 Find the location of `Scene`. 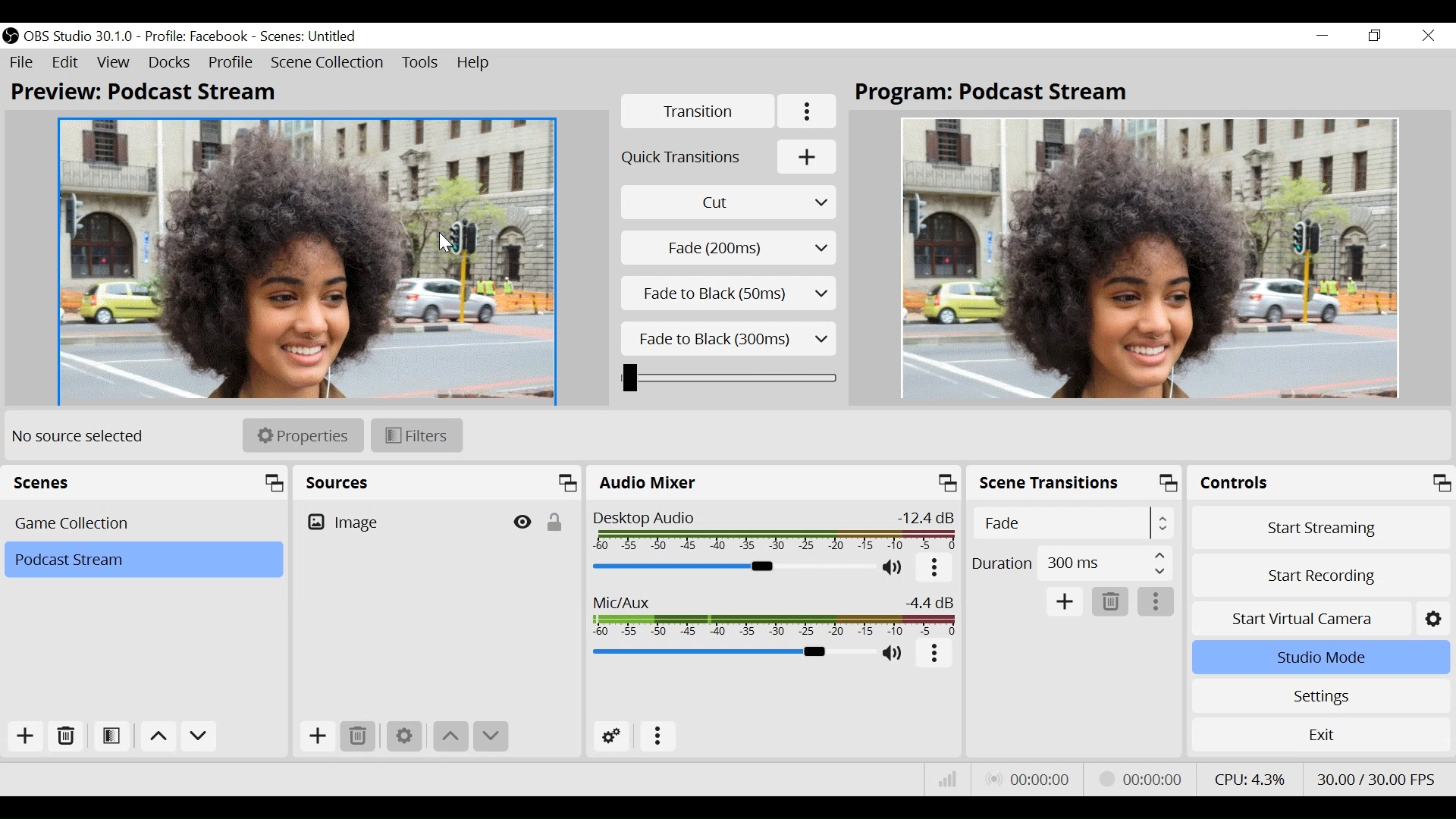

Scene is located at coordinates (310, 35).